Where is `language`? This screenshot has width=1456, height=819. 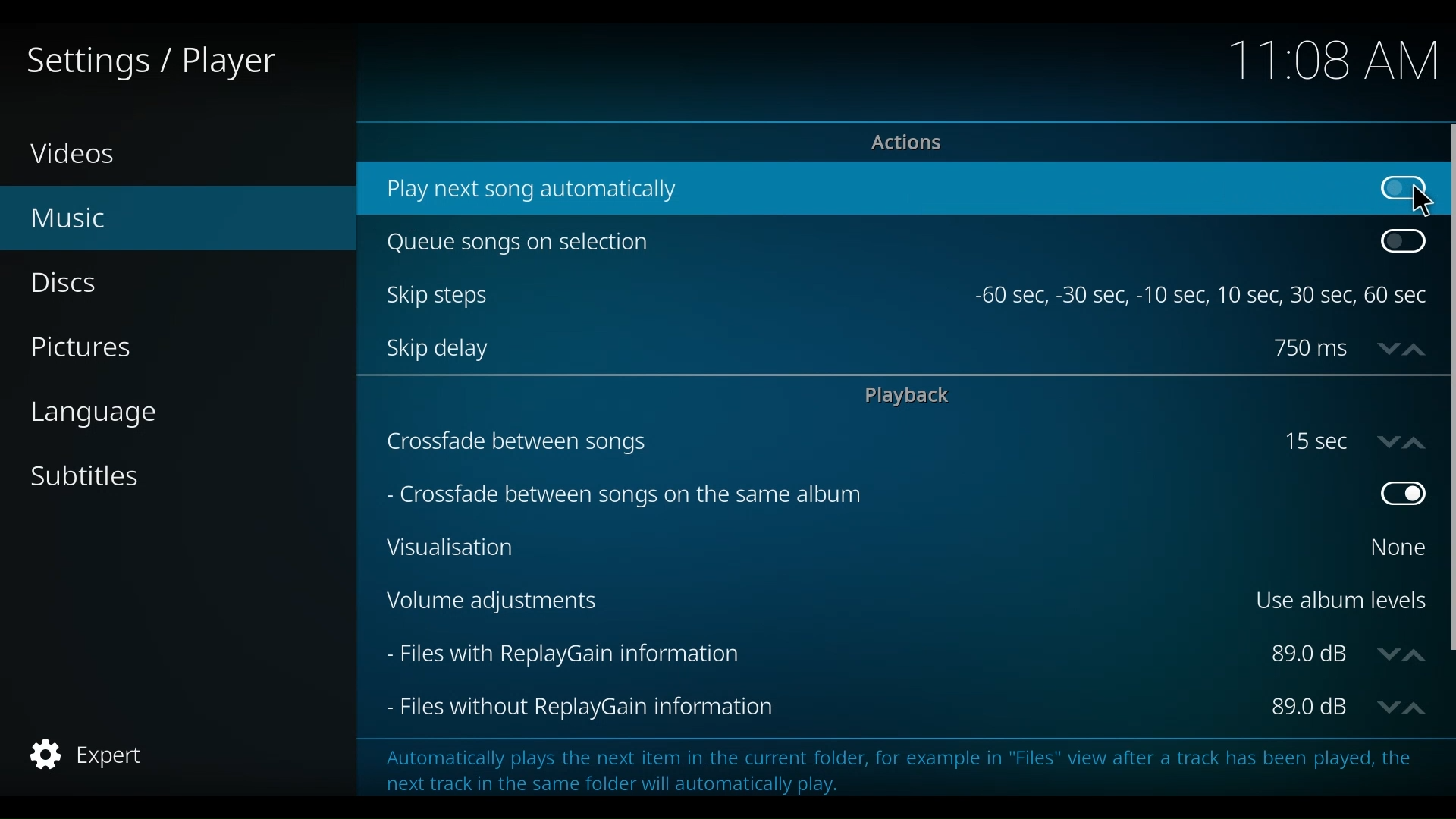 language is located at coordinates (101, 418).